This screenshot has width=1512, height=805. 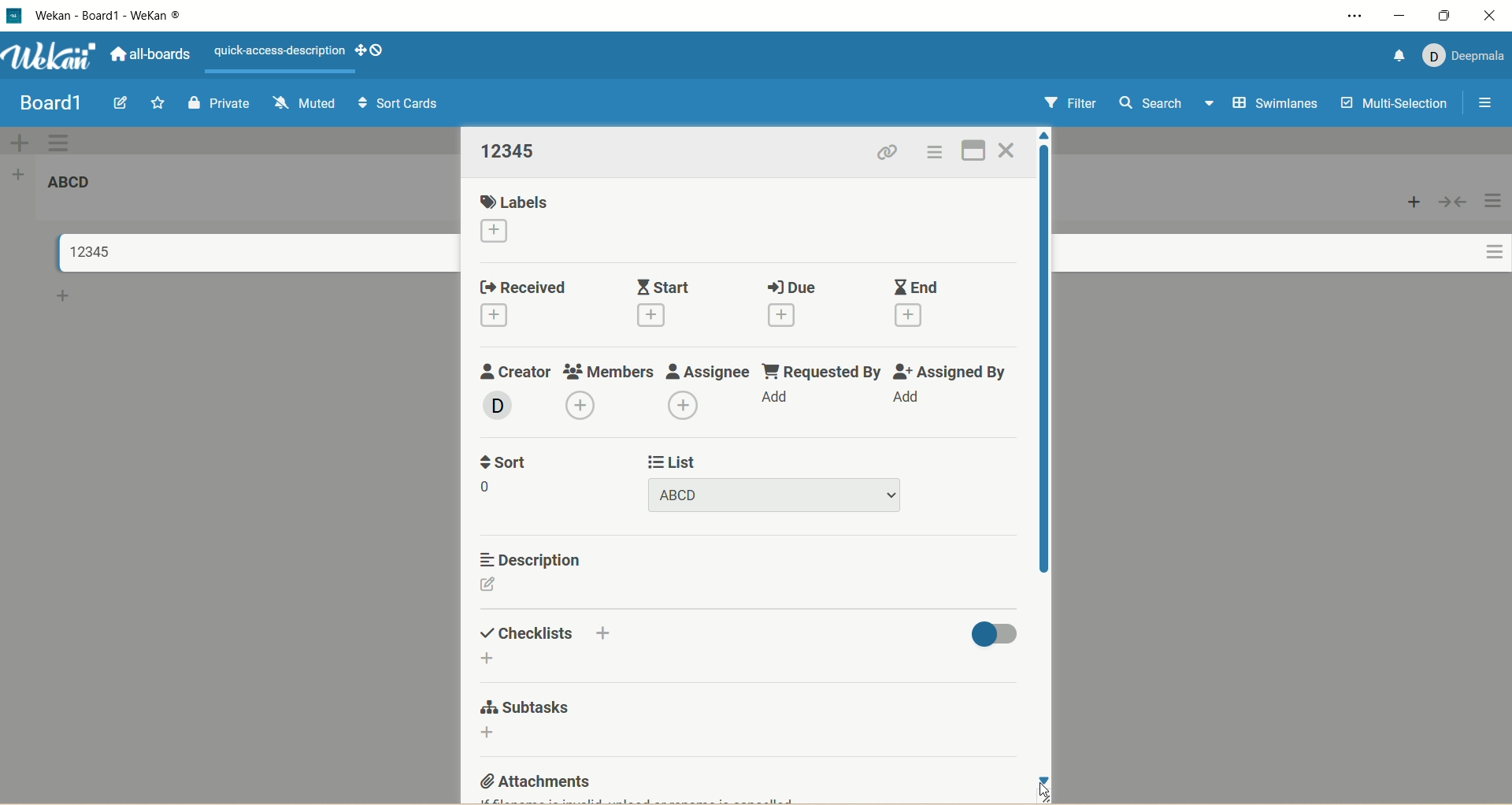 I want to click on copy card link to clipboard, so click(x=888, y=154).